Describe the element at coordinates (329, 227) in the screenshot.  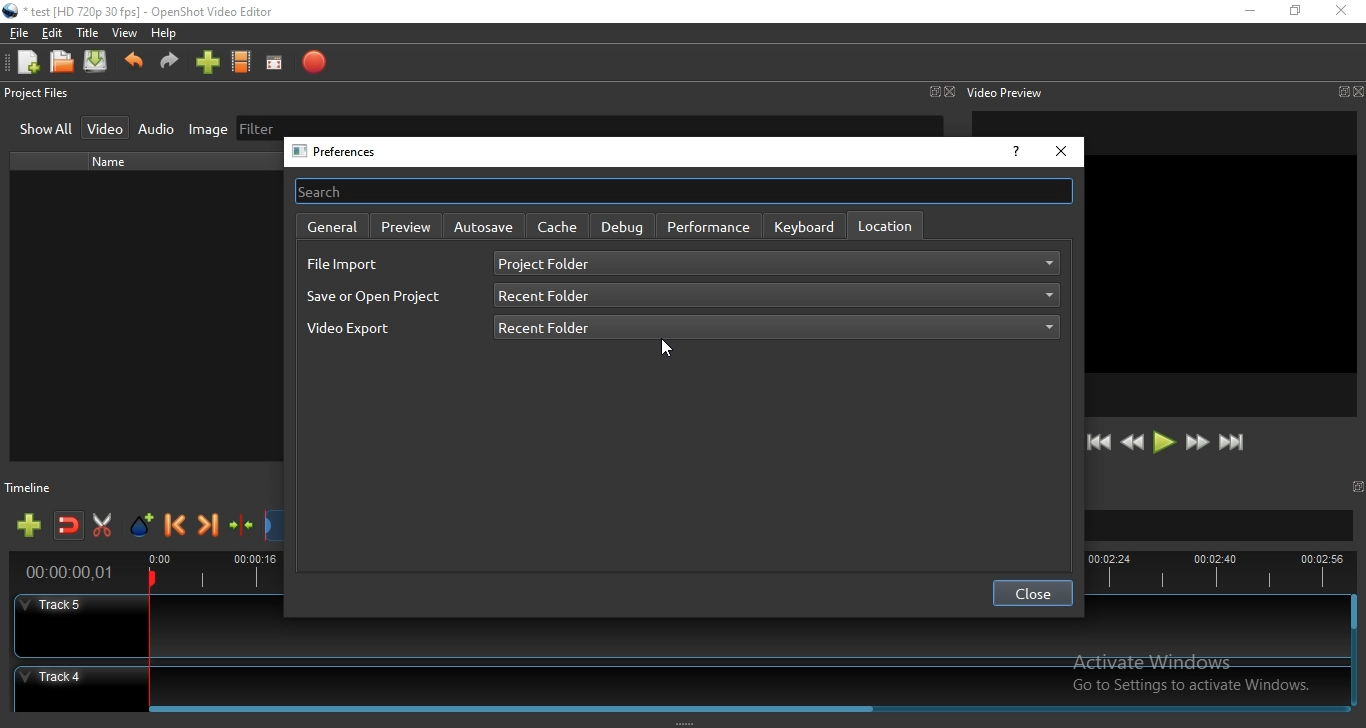
I see `general` at that location.